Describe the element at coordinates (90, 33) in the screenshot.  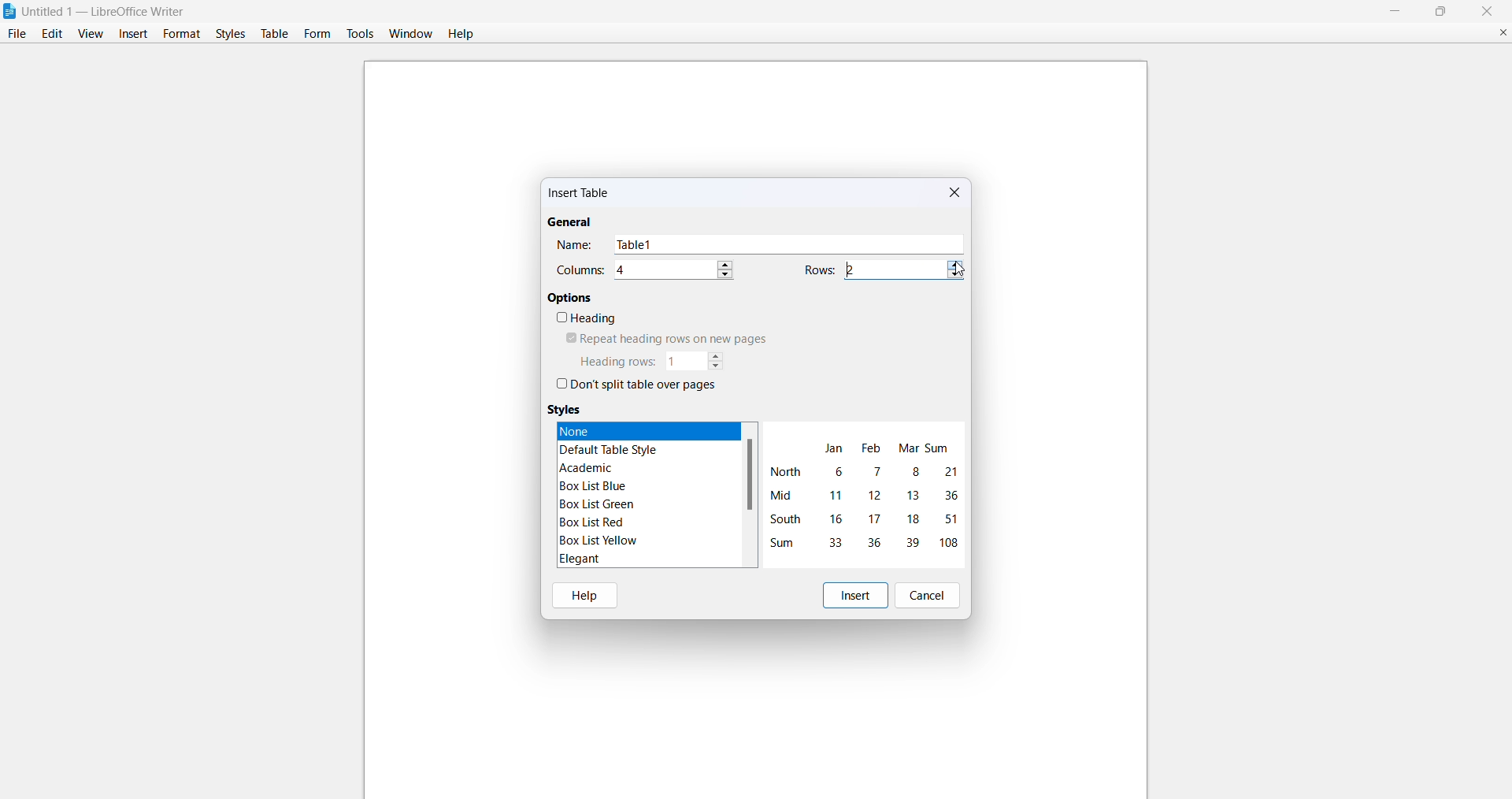
I see `view` at that location.